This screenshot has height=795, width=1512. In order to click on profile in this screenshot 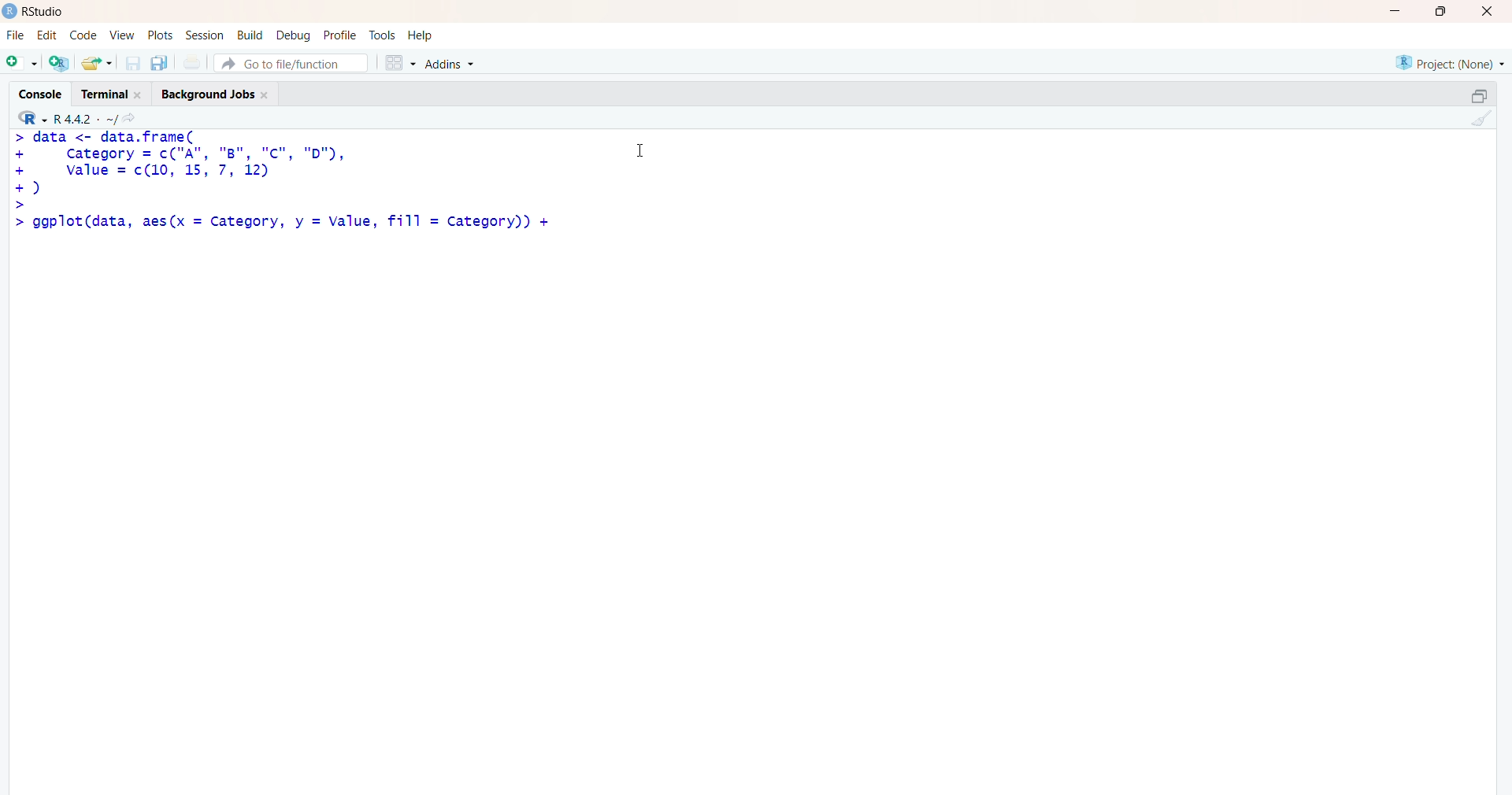, I will do `click(339, 36)`.